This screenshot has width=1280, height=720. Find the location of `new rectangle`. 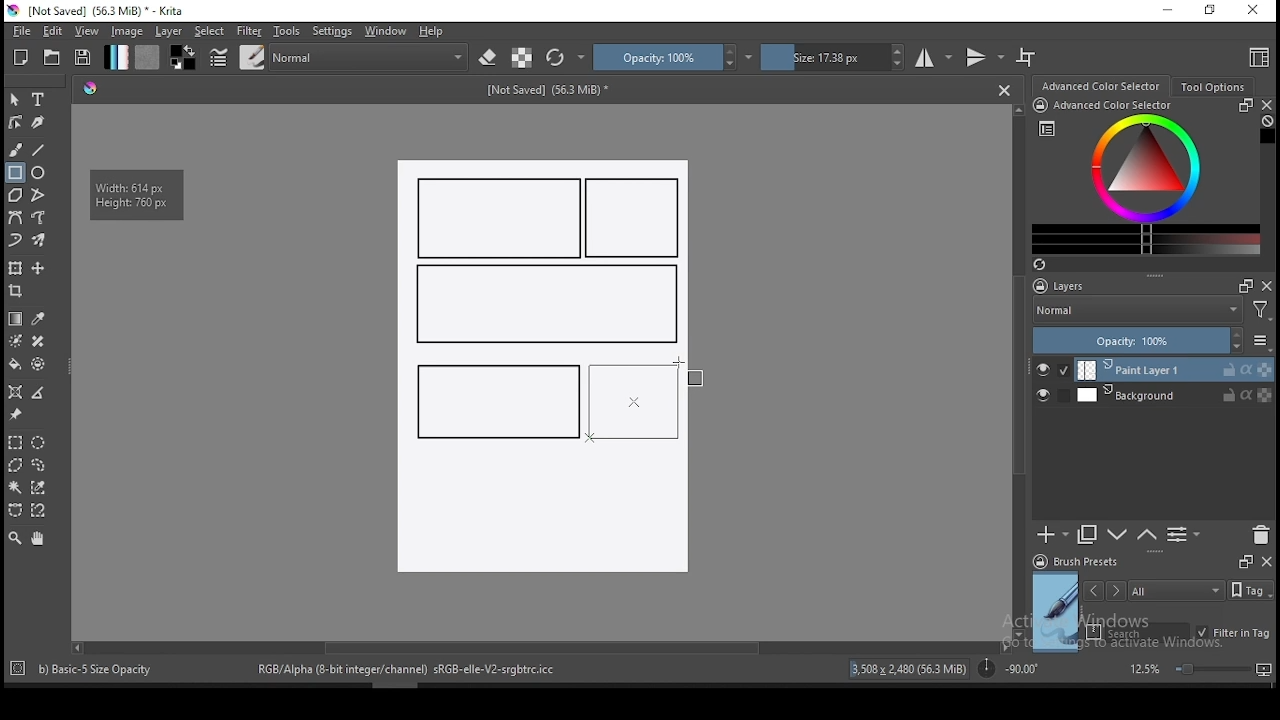

new rectangle is located at coordinates (494, 399).